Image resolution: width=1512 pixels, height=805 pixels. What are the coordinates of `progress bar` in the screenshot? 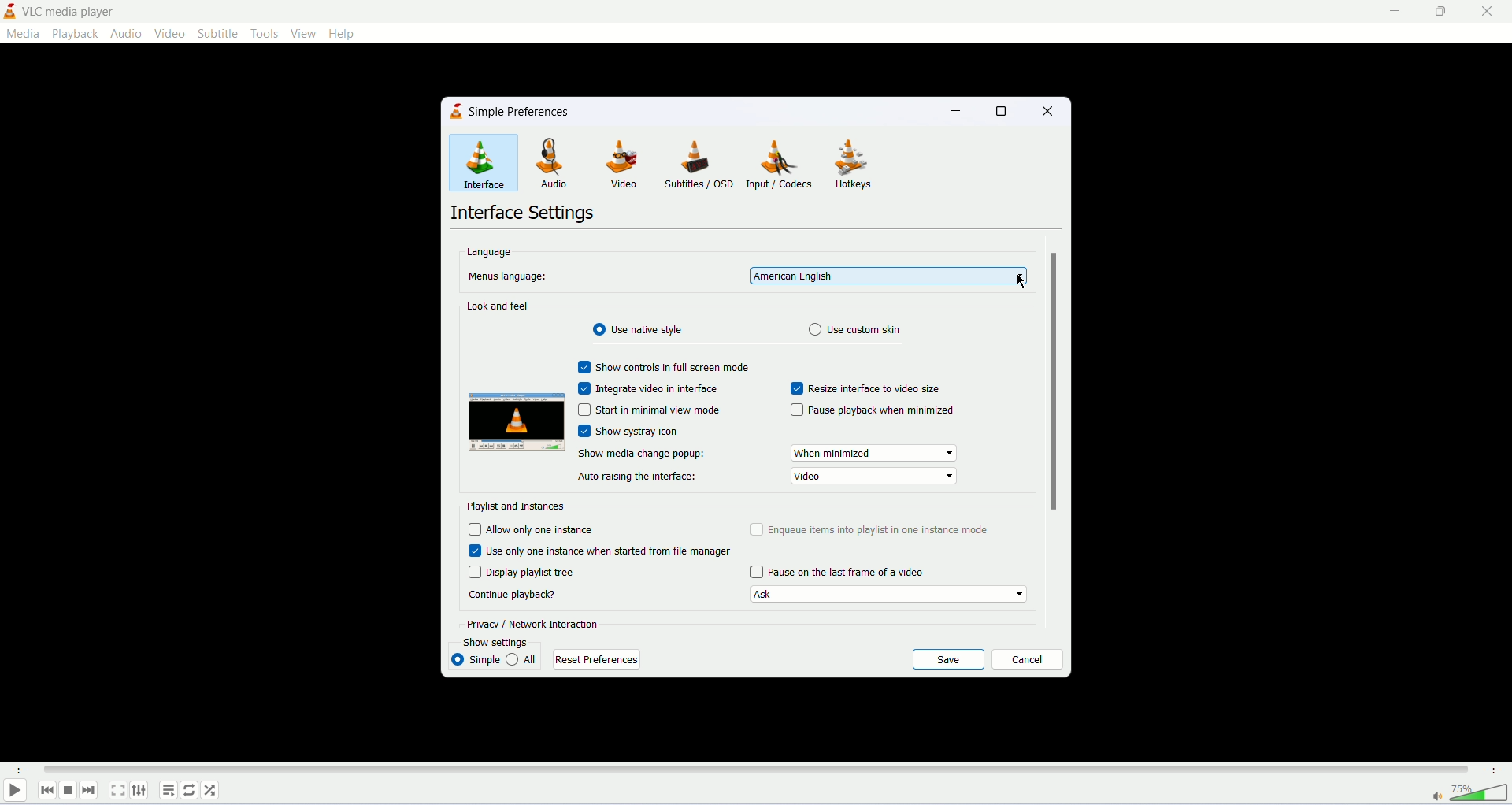 It's located at (760, 772).